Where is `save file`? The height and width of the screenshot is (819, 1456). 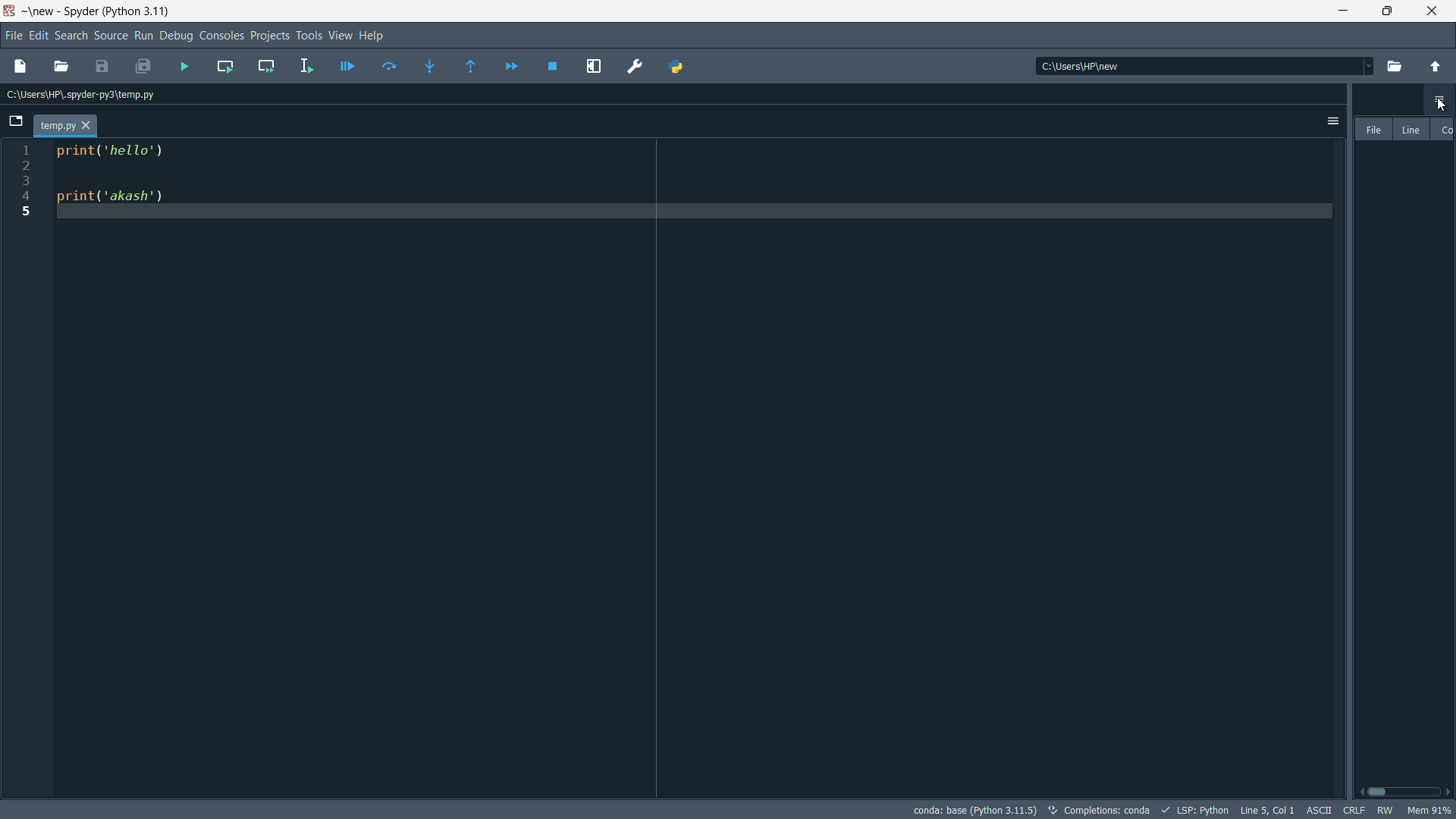 save file is located at coordinates (100, 67).